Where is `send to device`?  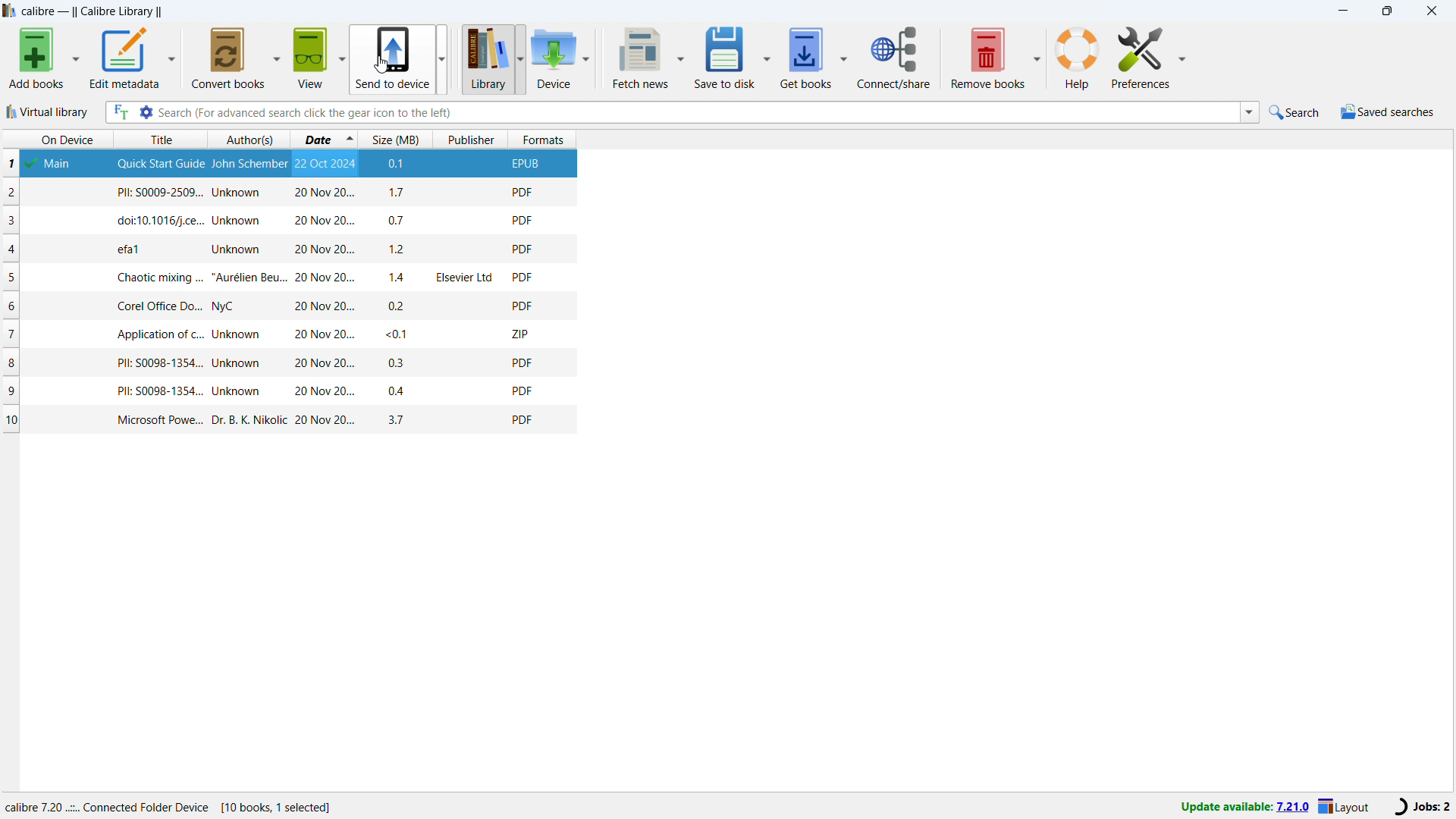
send to device is located at coordinates (394, 58).